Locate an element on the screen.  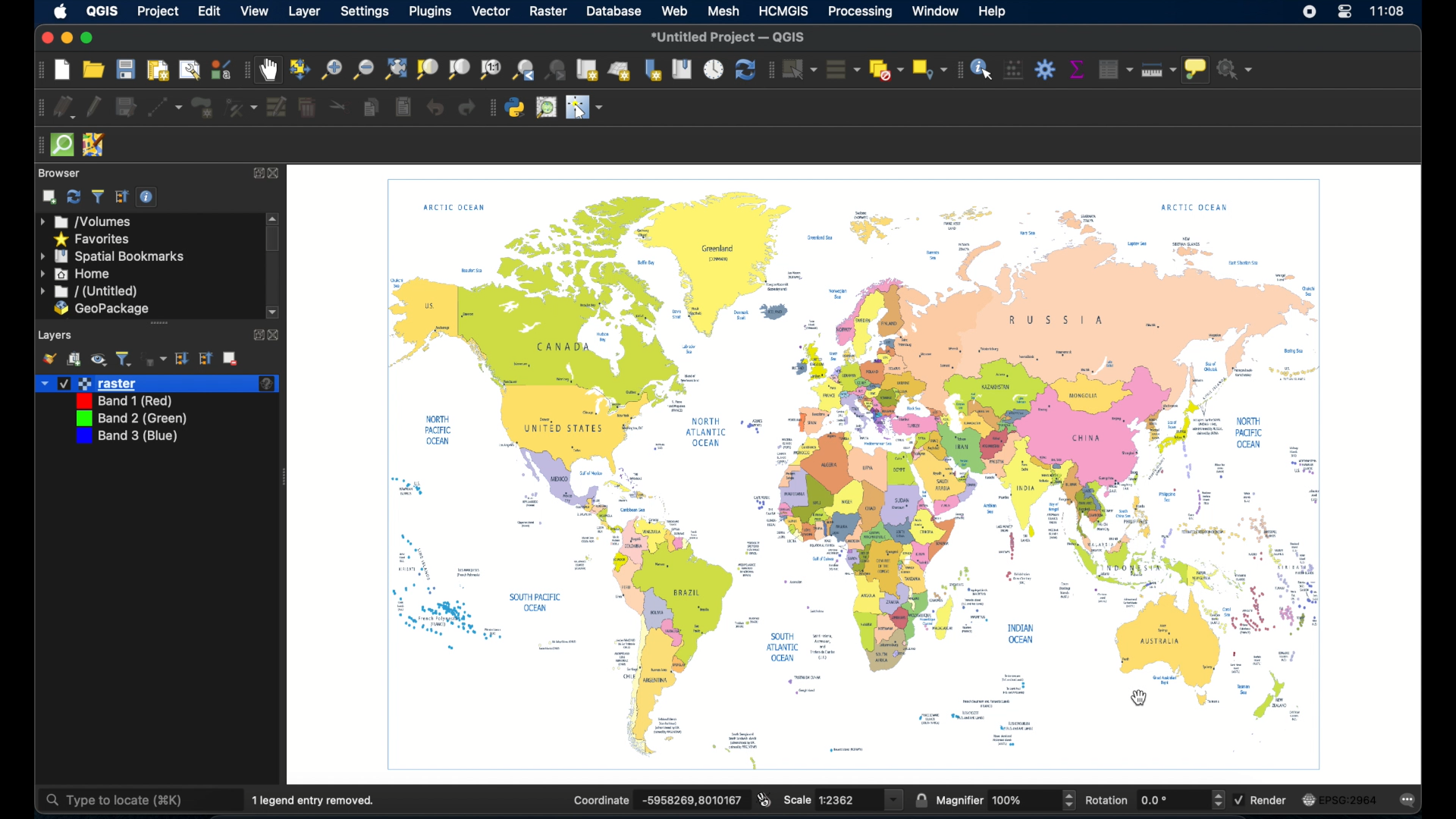
create new project is located at coordinates (61, 70).